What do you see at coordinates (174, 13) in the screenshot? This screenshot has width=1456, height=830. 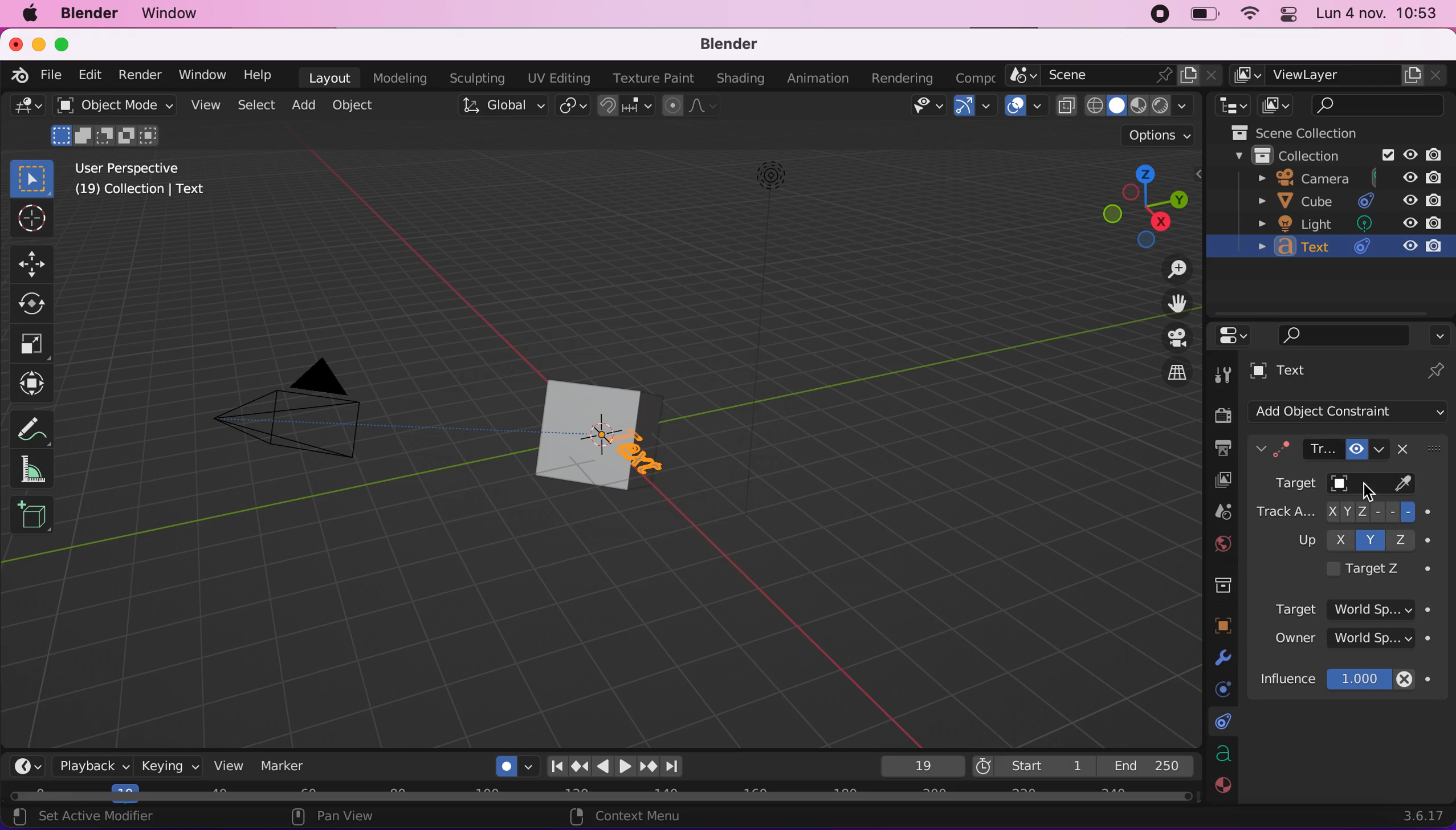 I see `window` at bounding box center [174, 13].